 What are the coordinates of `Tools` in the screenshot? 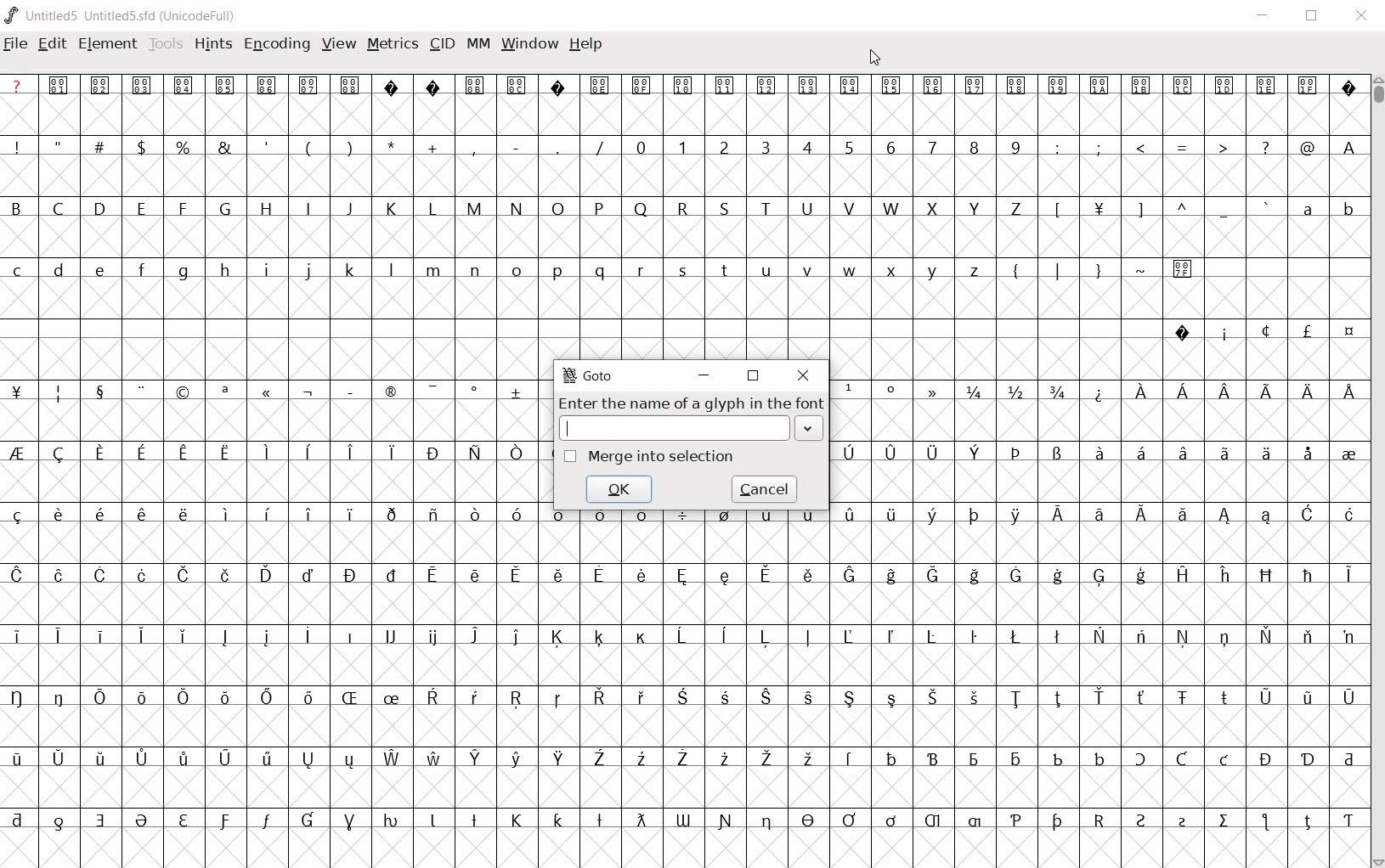 It's located at (166, 45).